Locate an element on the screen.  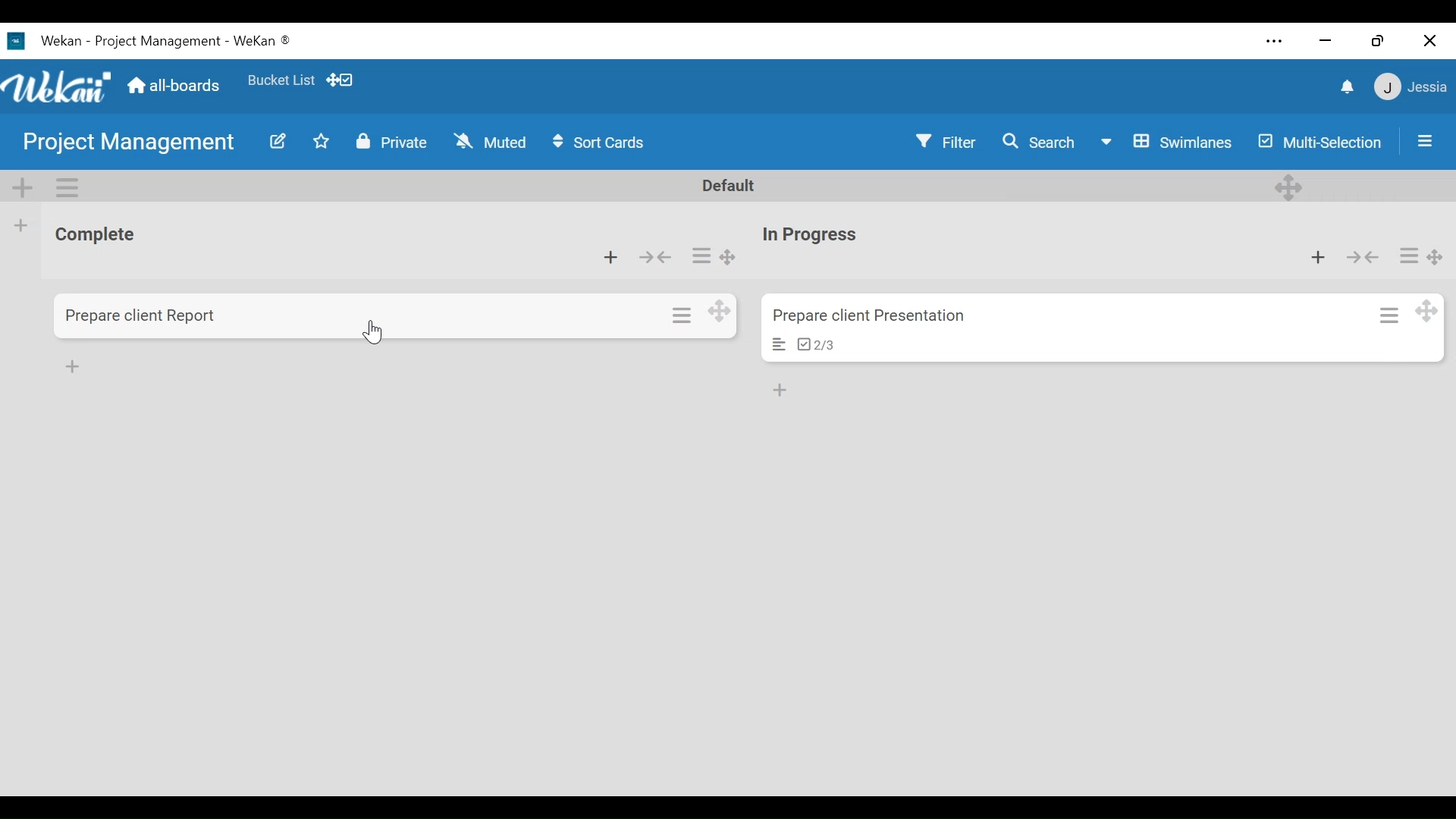
Desktop drag handle is located at coordinates (1427, 309).